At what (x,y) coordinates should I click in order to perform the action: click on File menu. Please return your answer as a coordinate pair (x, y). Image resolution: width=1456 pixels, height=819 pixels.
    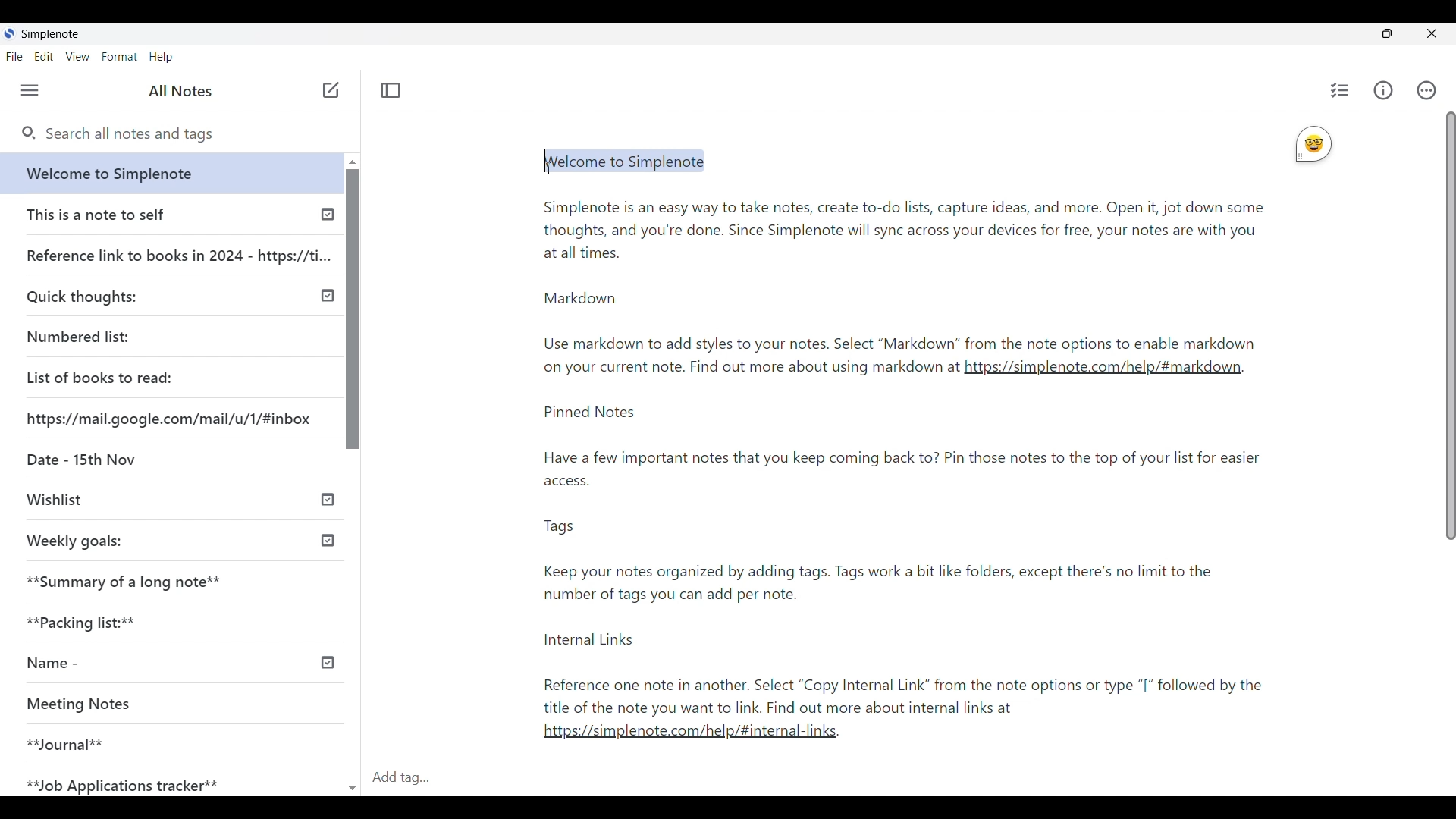
    Looking at the image, I should click on (15, 56).